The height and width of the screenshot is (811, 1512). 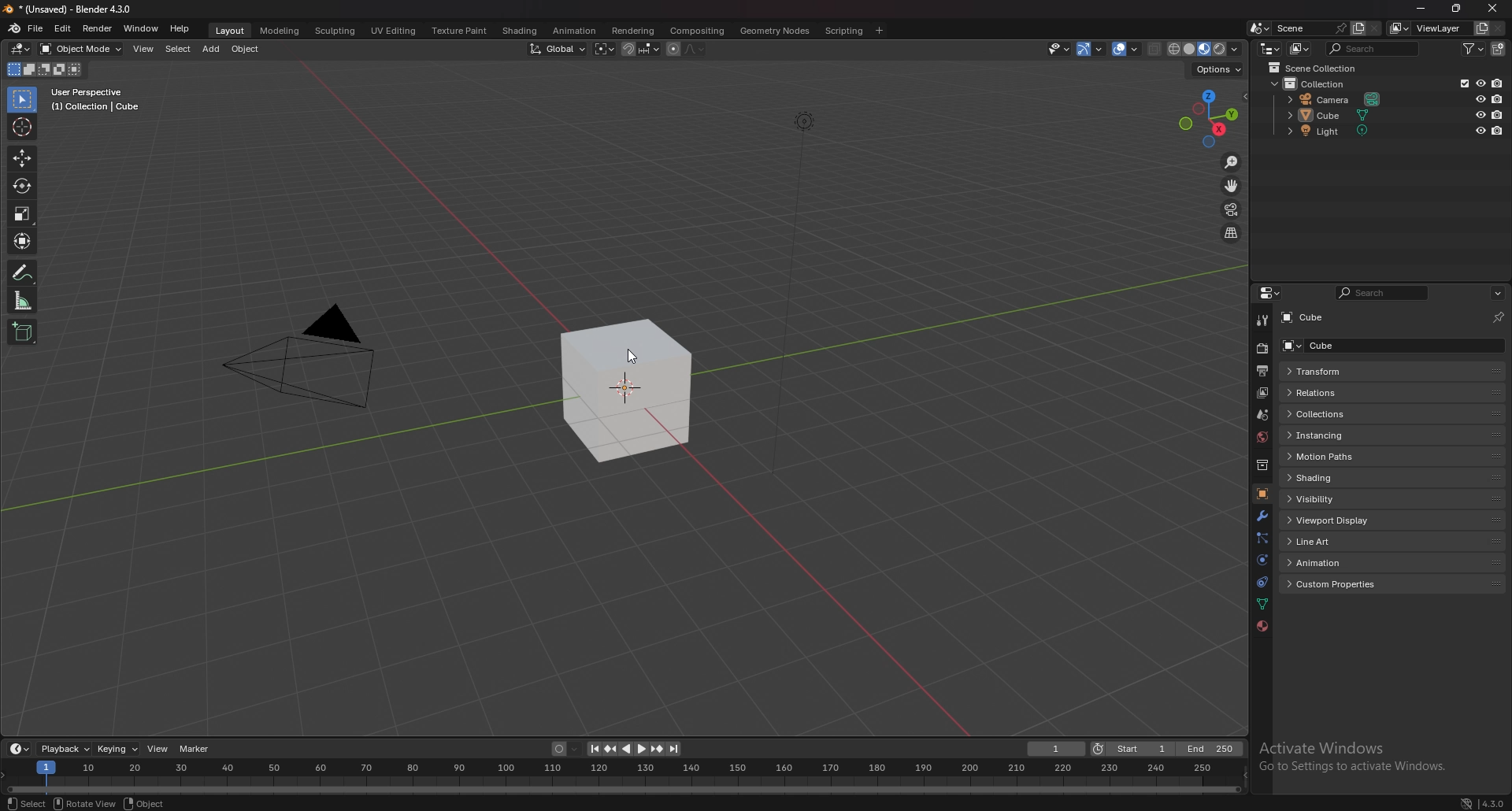 I want to click on end, so click(x=1208, y=750).